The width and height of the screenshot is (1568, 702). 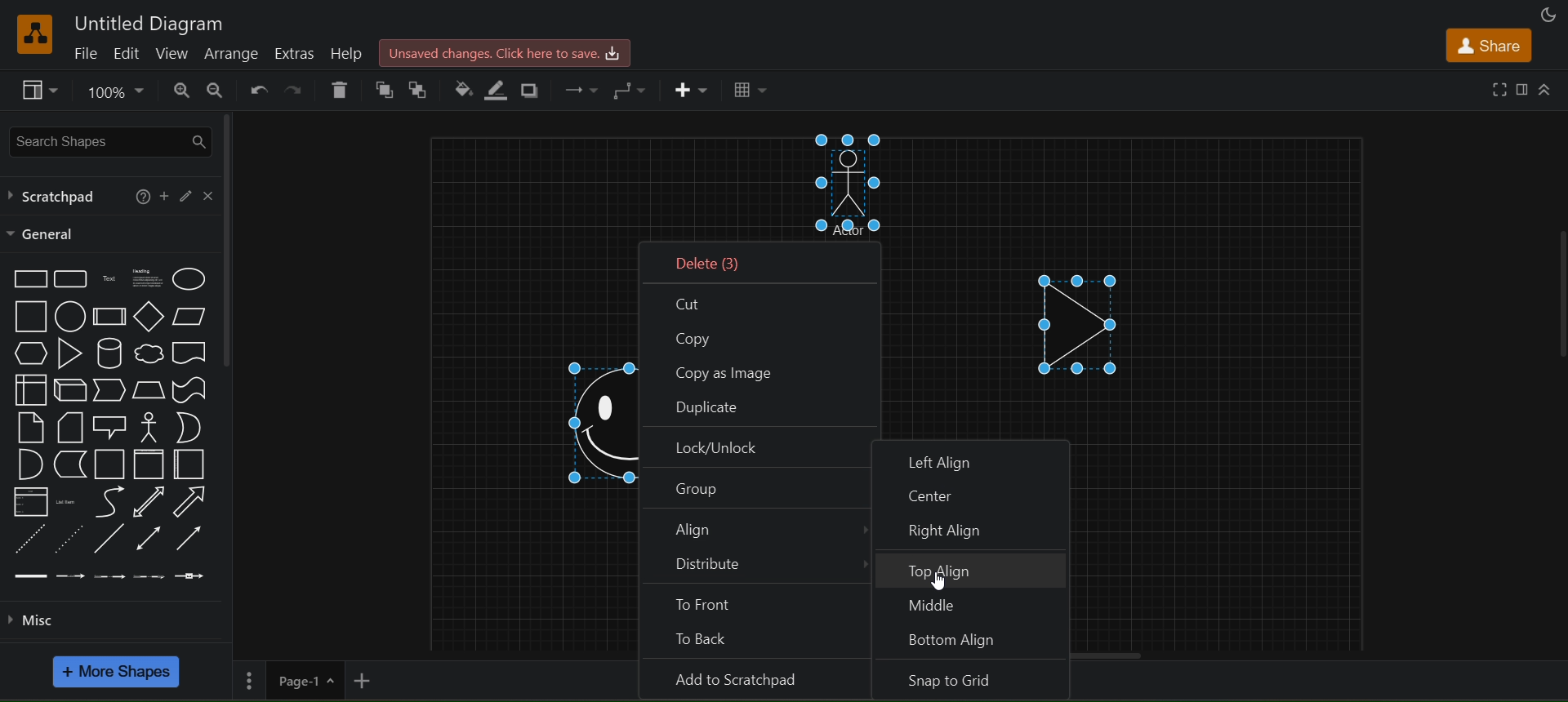 I want to click on misc, so click(x=35, y=619).